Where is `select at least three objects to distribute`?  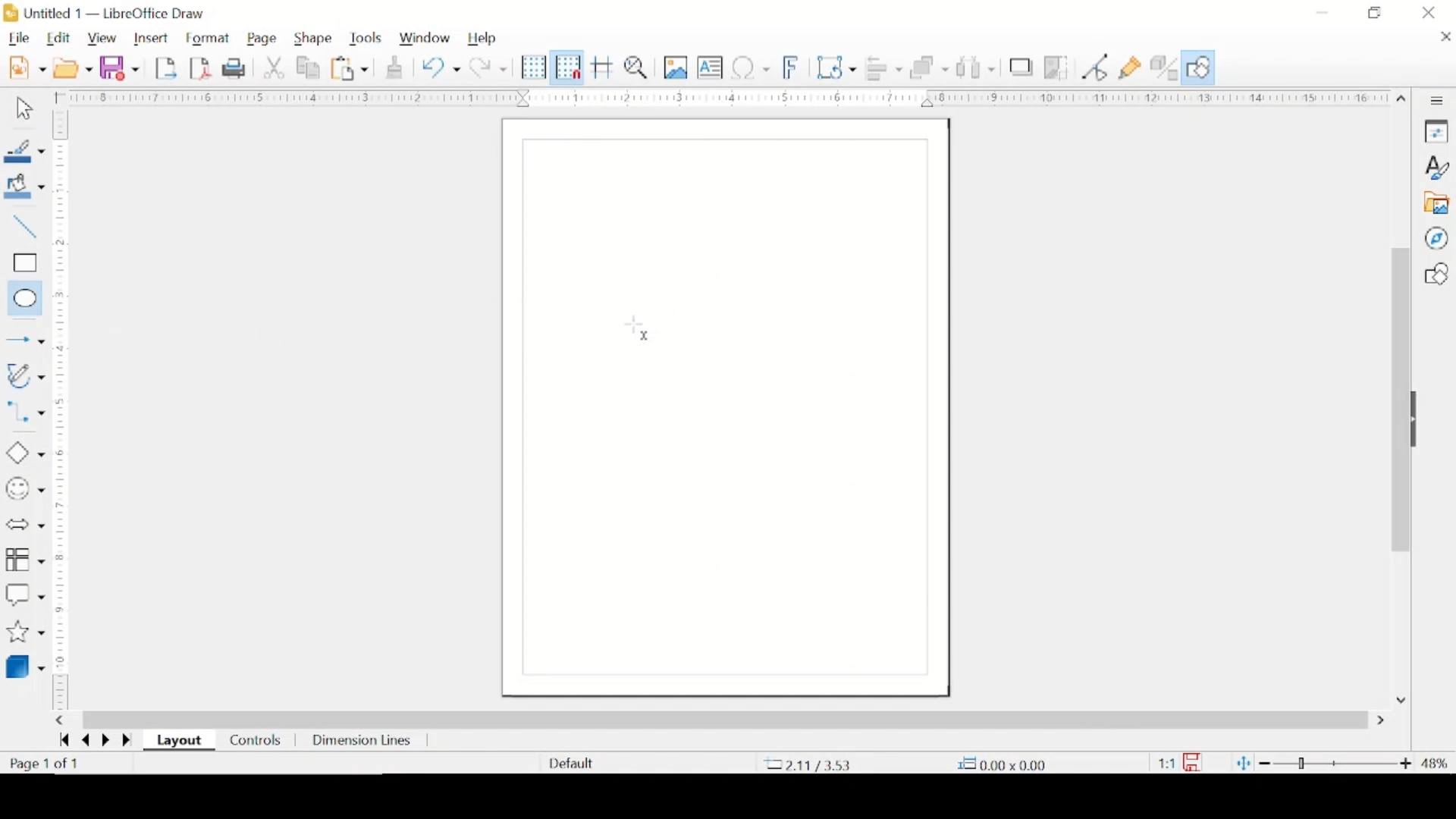 select at least three objects to distribute is located at coordinates (975, 67).